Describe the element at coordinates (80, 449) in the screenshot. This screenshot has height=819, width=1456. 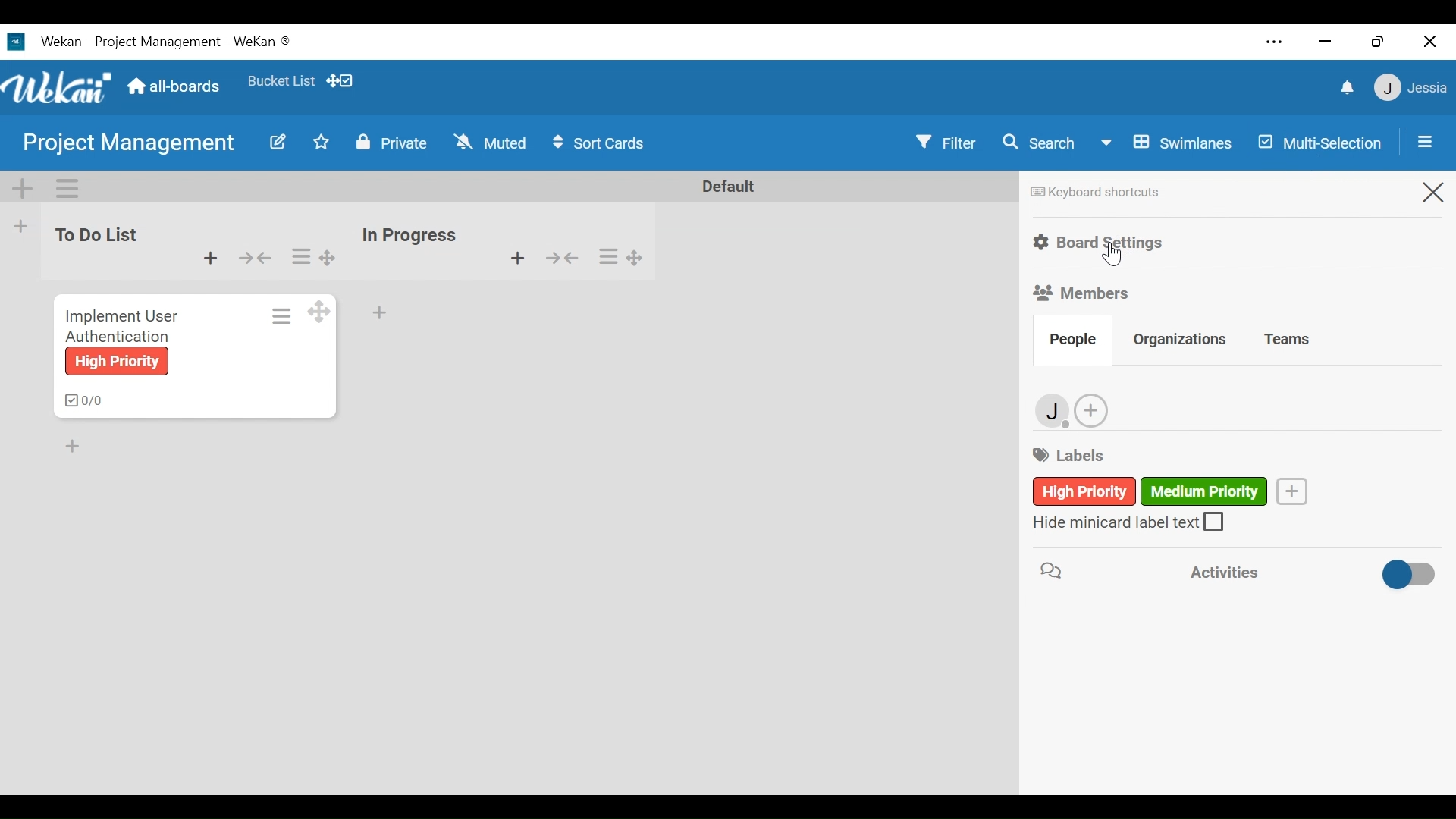
I see `Add Card Bottom of the list` at that location.